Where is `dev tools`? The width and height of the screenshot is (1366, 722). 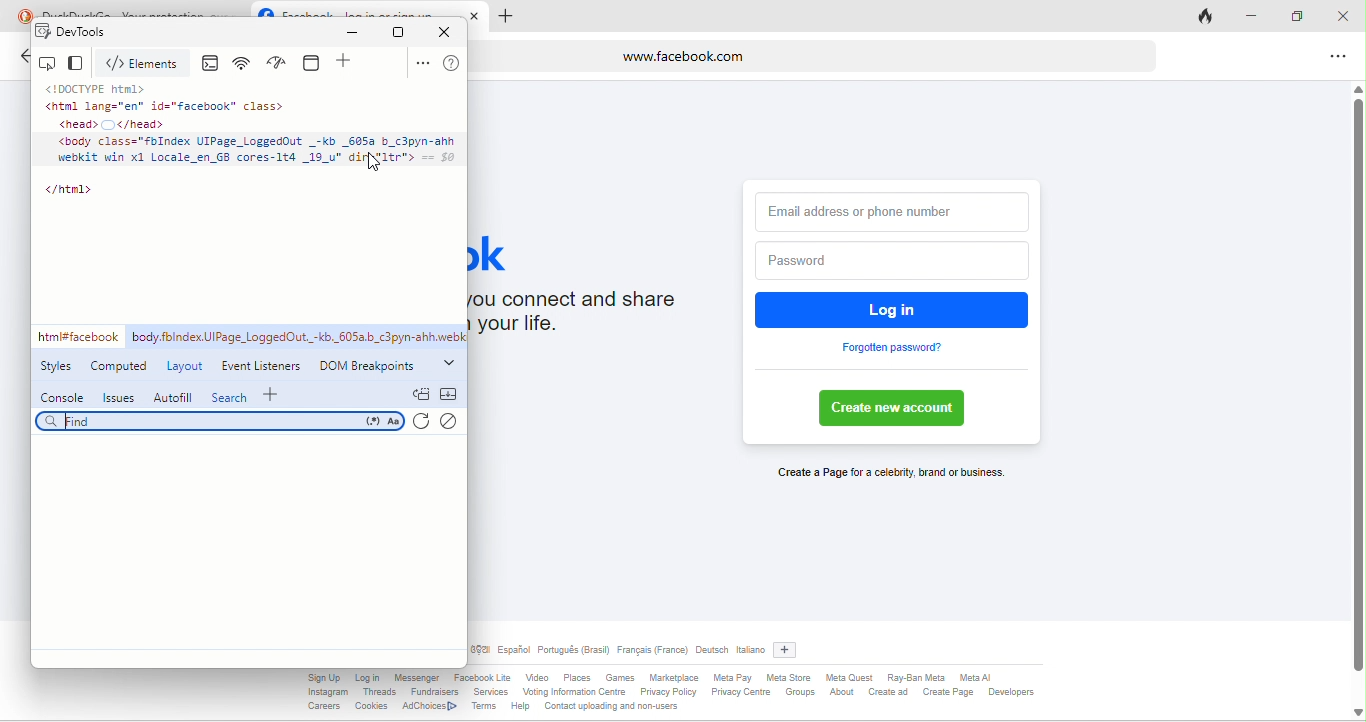 dev tools is located at coordinates (100, 32).